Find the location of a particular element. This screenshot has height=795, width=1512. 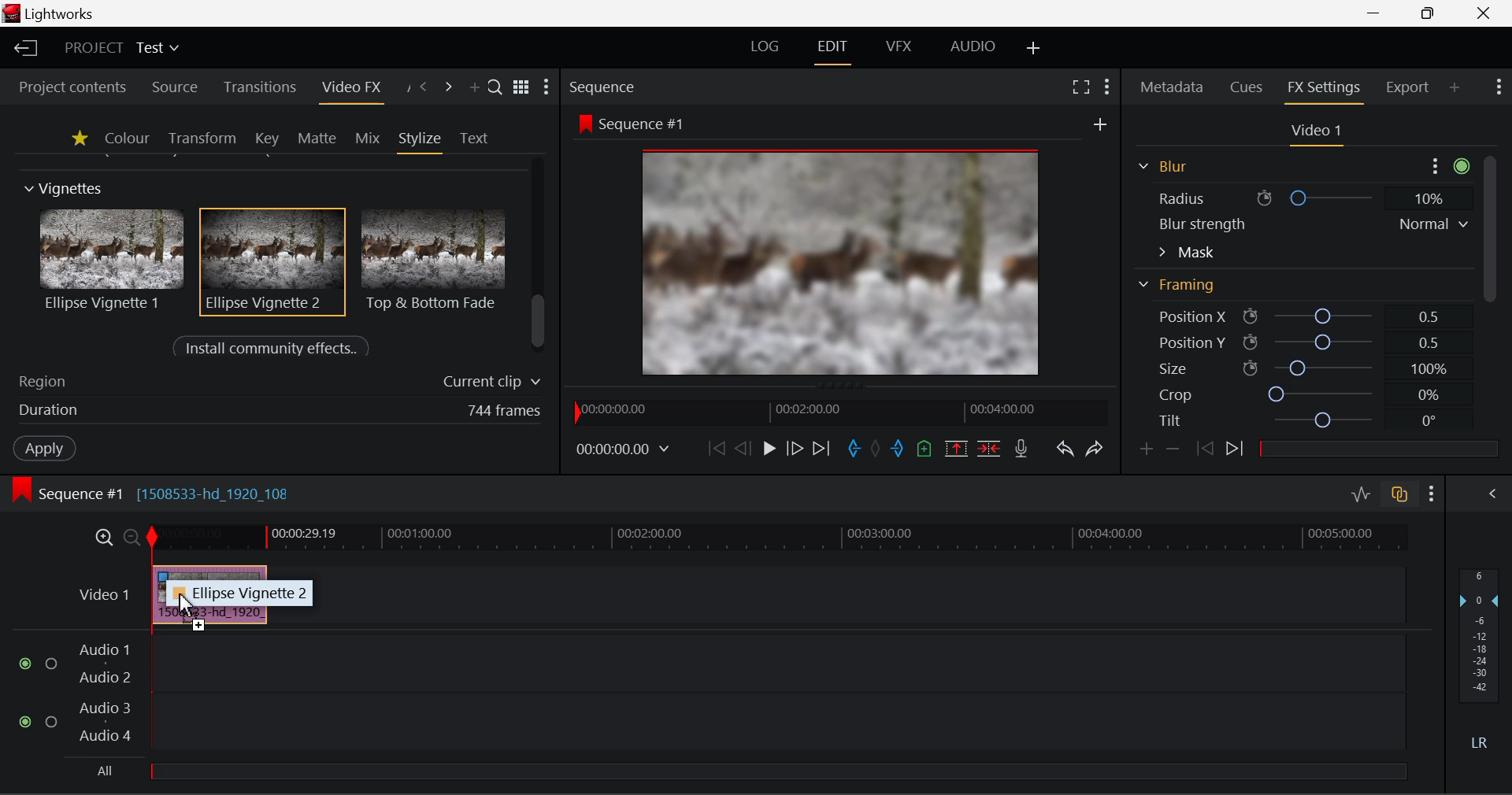

Toggle auto track sync is located at coordinates (1398, 492).